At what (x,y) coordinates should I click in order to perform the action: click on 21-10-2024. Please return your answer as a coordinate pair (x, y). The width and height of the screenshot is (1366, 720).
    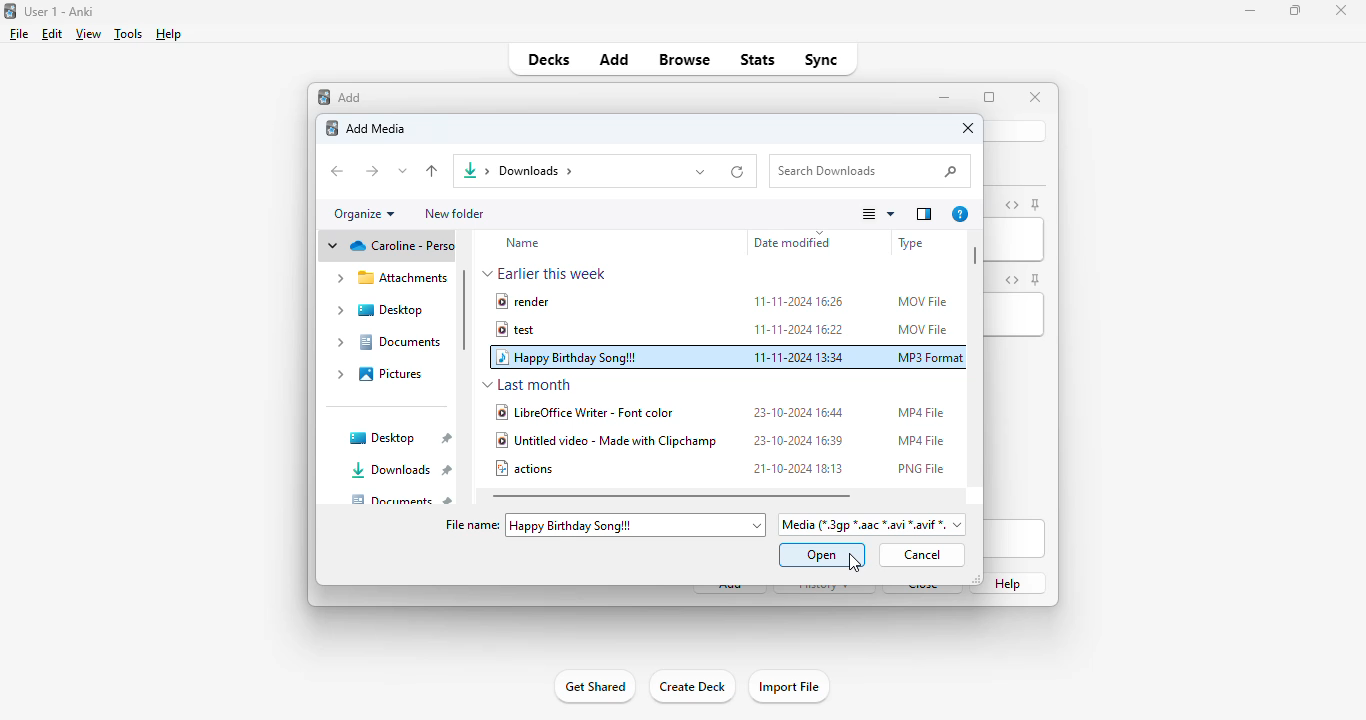
    Looking at the image, I should click on (798, 469).